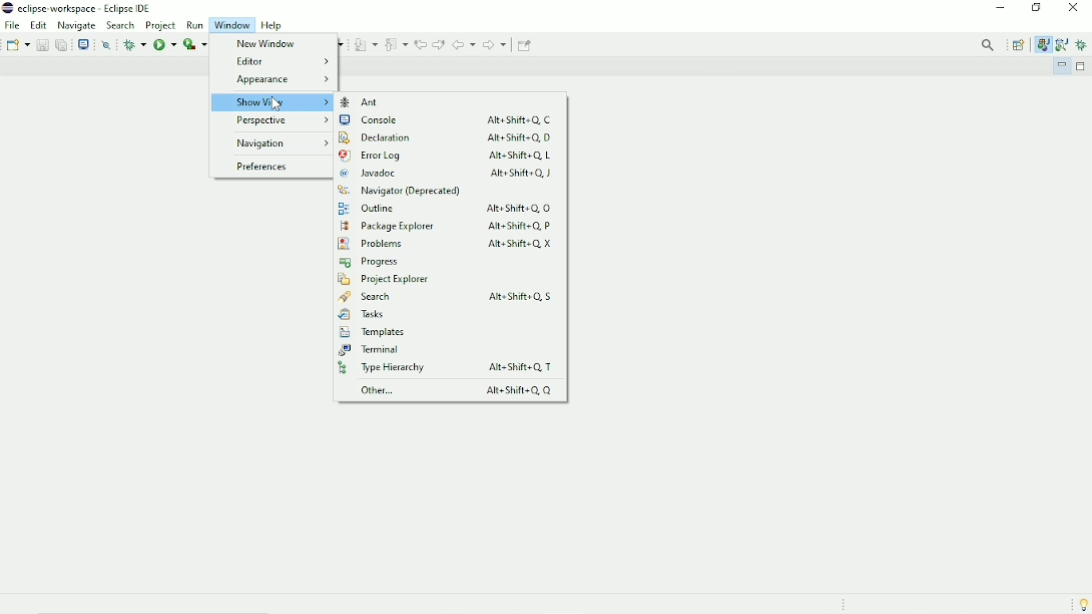 The image size is (1092, 614). What do you see at coordinates (60, 44) in the screenshot?
I see `Save all` at bounding box center [60, 44].